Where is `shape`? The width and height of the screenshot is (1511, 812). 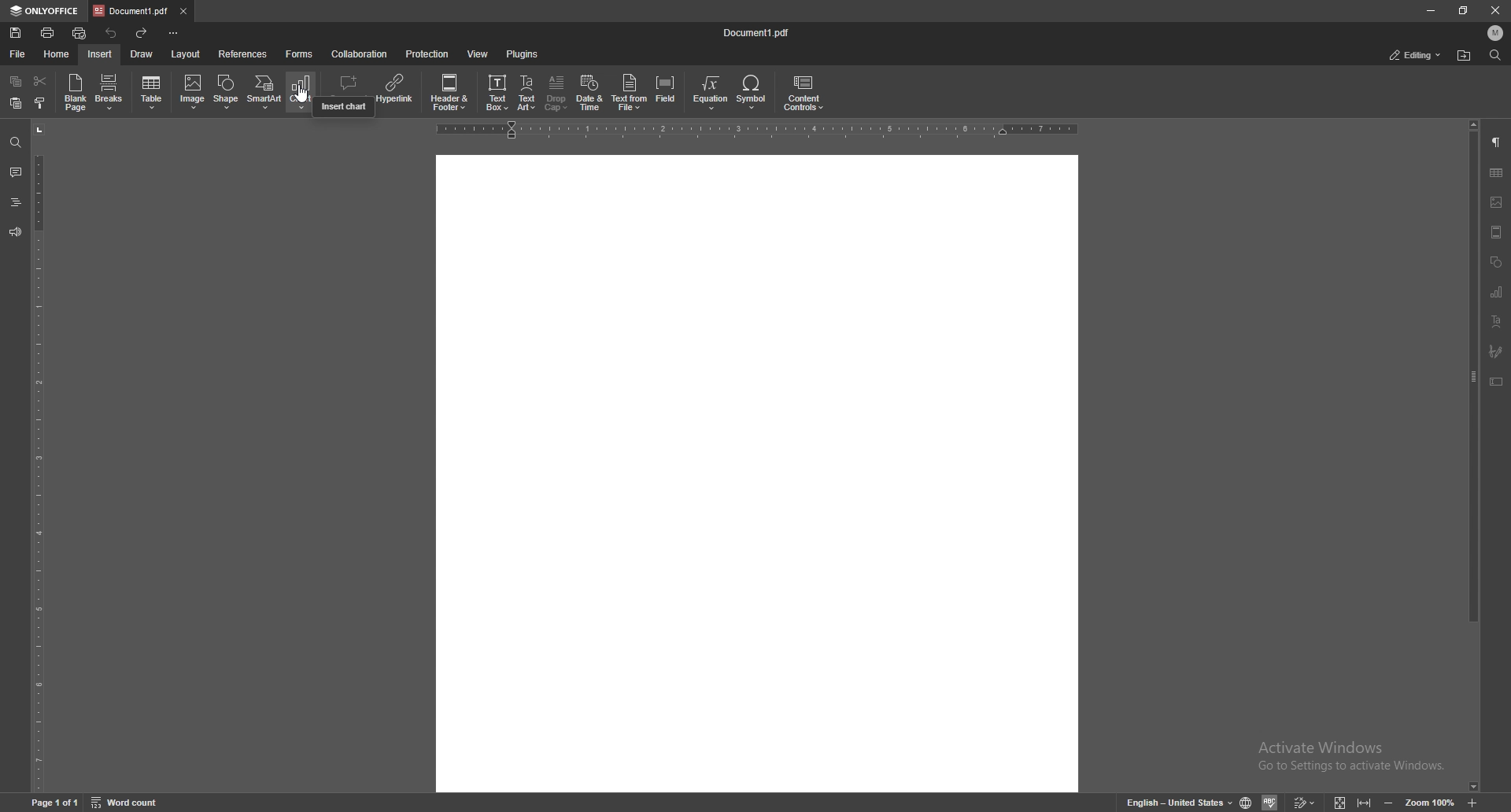 shape is located at coordinates (226, 91).